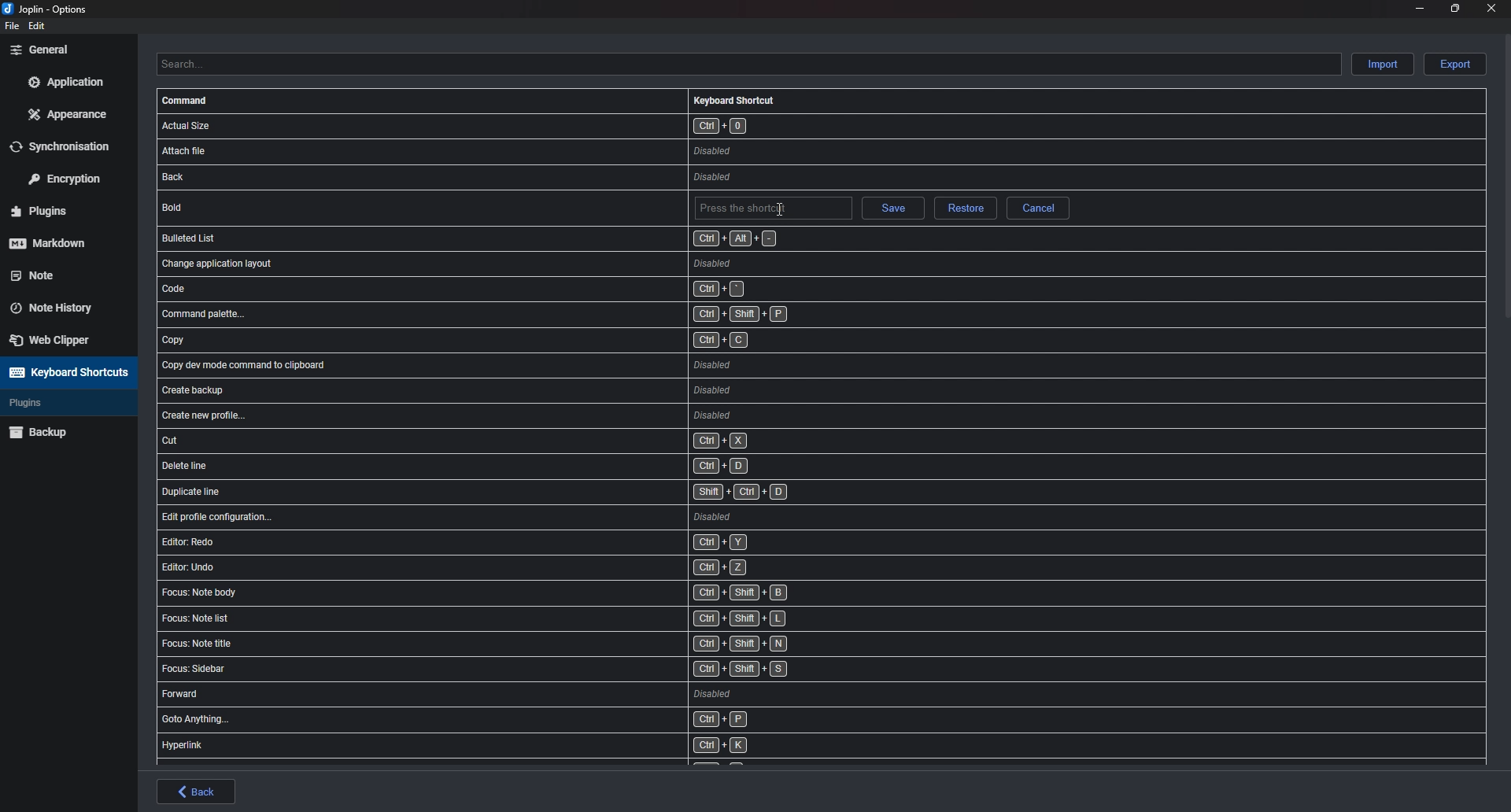 This screenshot has width=1511, height=812. Describe the element at coordinates (535, 441) in the screenshot. I see `shortcut` at that location.